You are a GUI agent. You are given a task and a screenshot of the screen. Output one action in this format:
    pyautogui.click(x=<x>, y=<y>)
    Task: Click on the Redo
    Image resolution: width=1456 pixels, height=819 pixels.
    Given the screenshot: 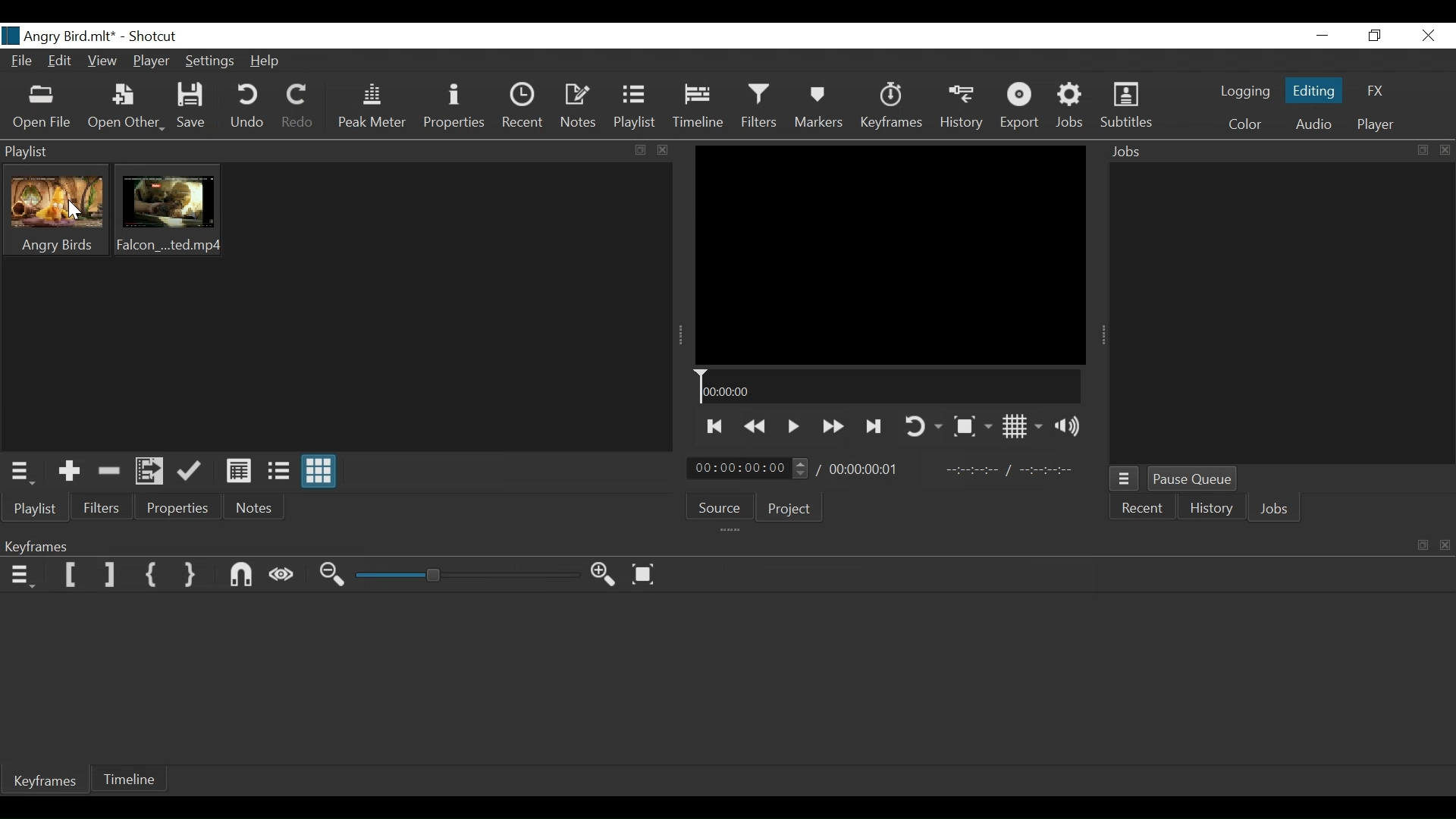 What is the action you would take?
    pyautogui.click(x=298, y=109)
    